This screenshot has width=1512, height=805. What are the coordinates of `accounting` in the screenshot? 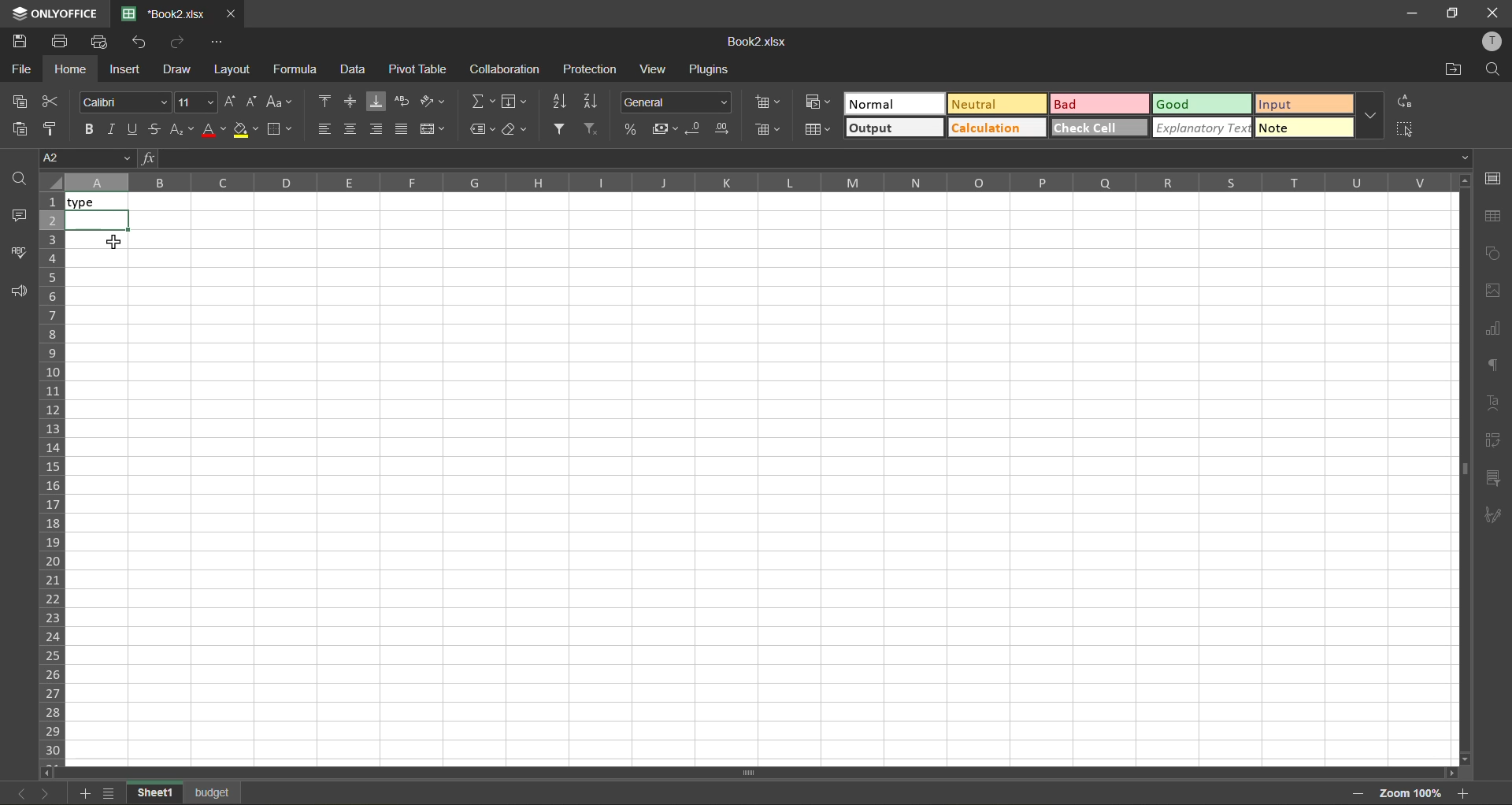 It's located at (665, 128).